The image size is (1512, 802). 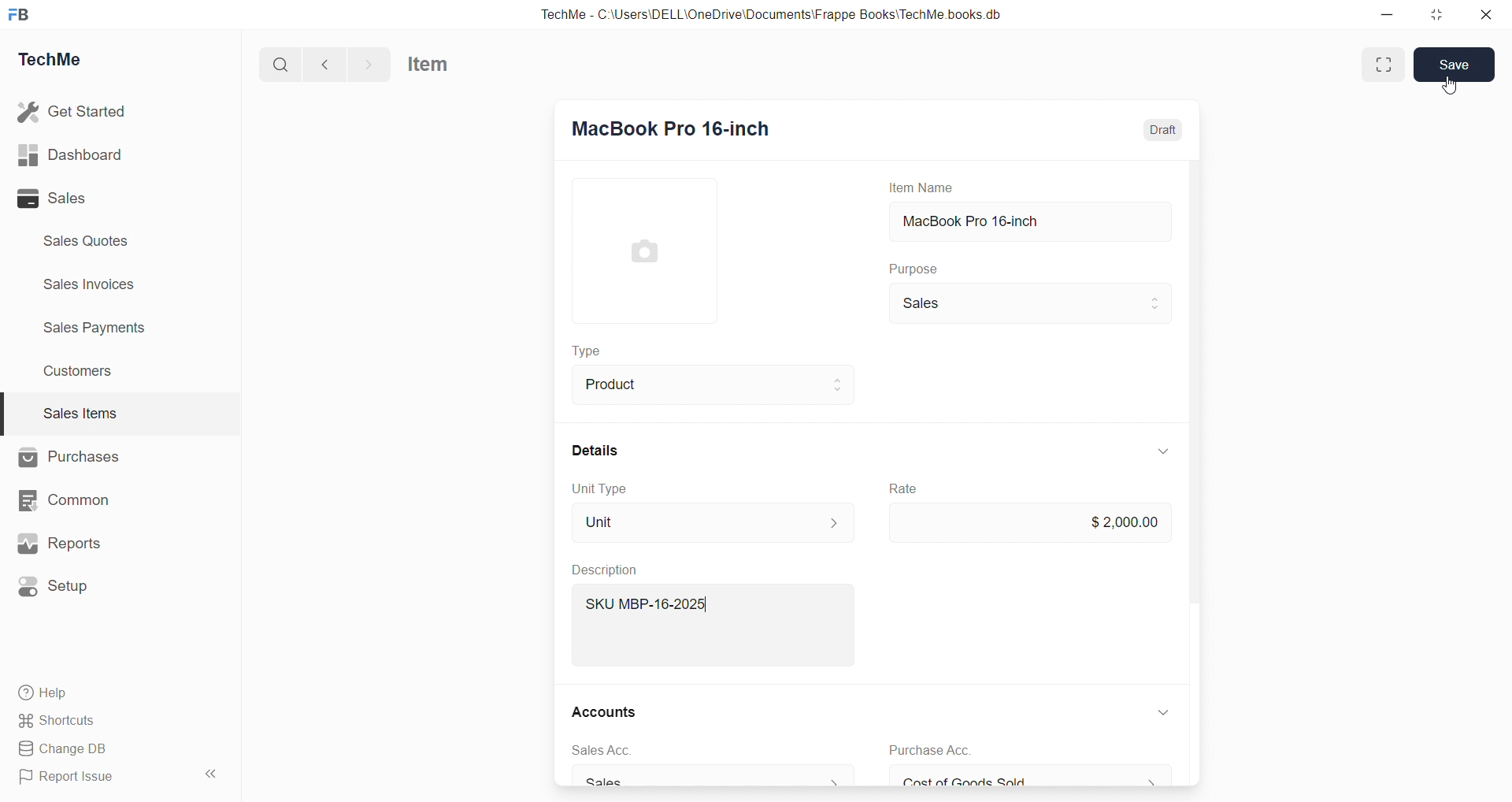 What do you see at coordinates (61, 543) in the screenshot?
I see `Reports` at bounding box center [61, 543].